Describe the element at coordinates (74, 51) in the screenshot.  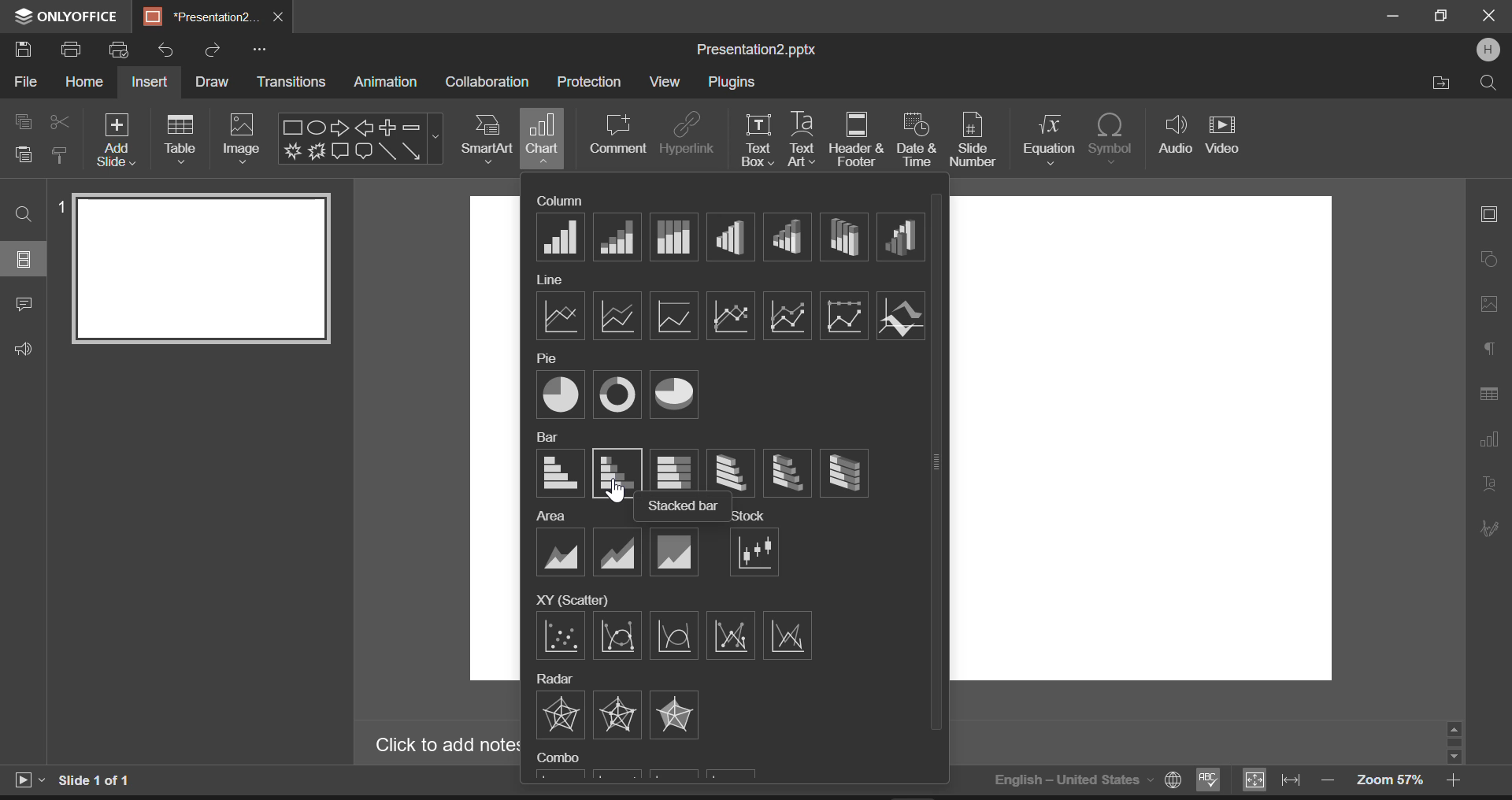
I see `Print` at that location.